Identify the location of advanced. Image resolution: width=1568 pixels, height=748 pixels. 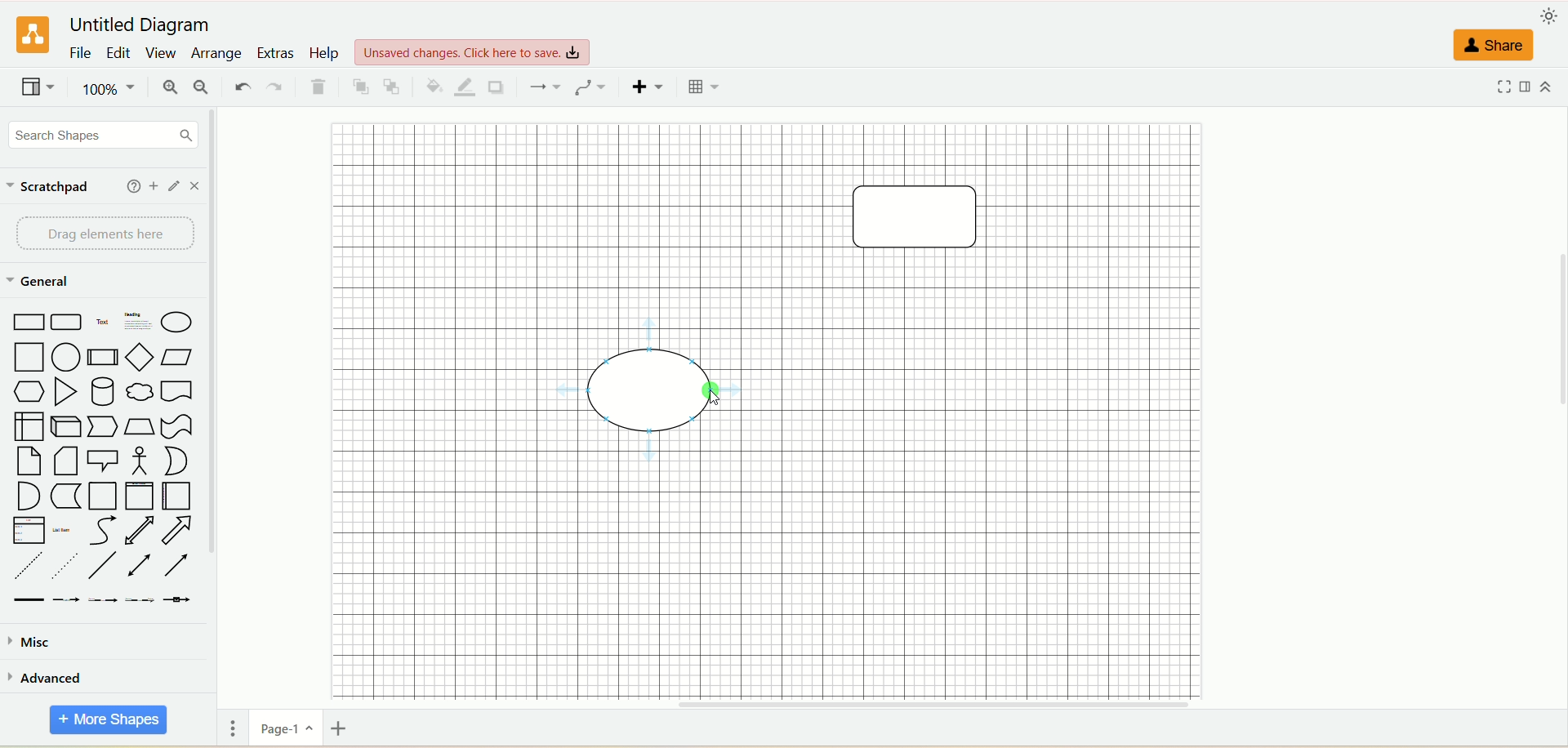
(47, 677).